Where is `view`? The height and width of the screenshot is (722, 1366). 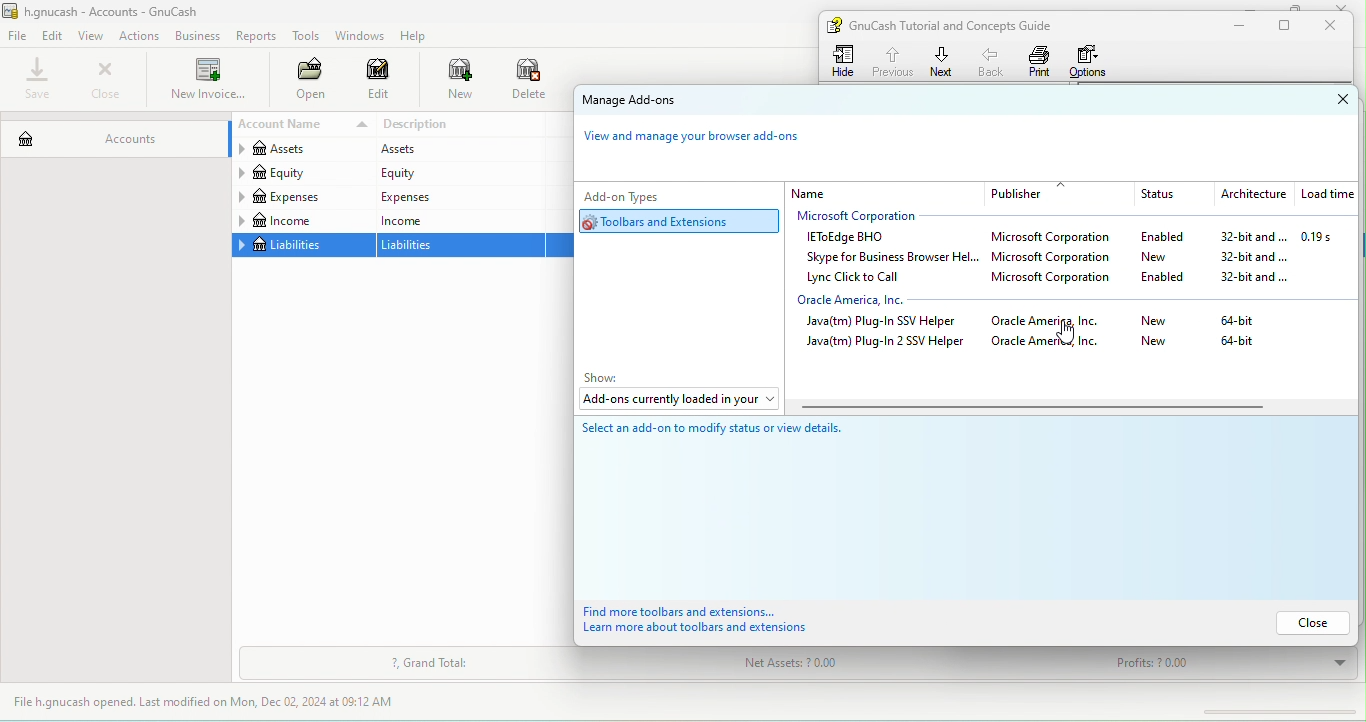 view is located at coordinates (94, 36).